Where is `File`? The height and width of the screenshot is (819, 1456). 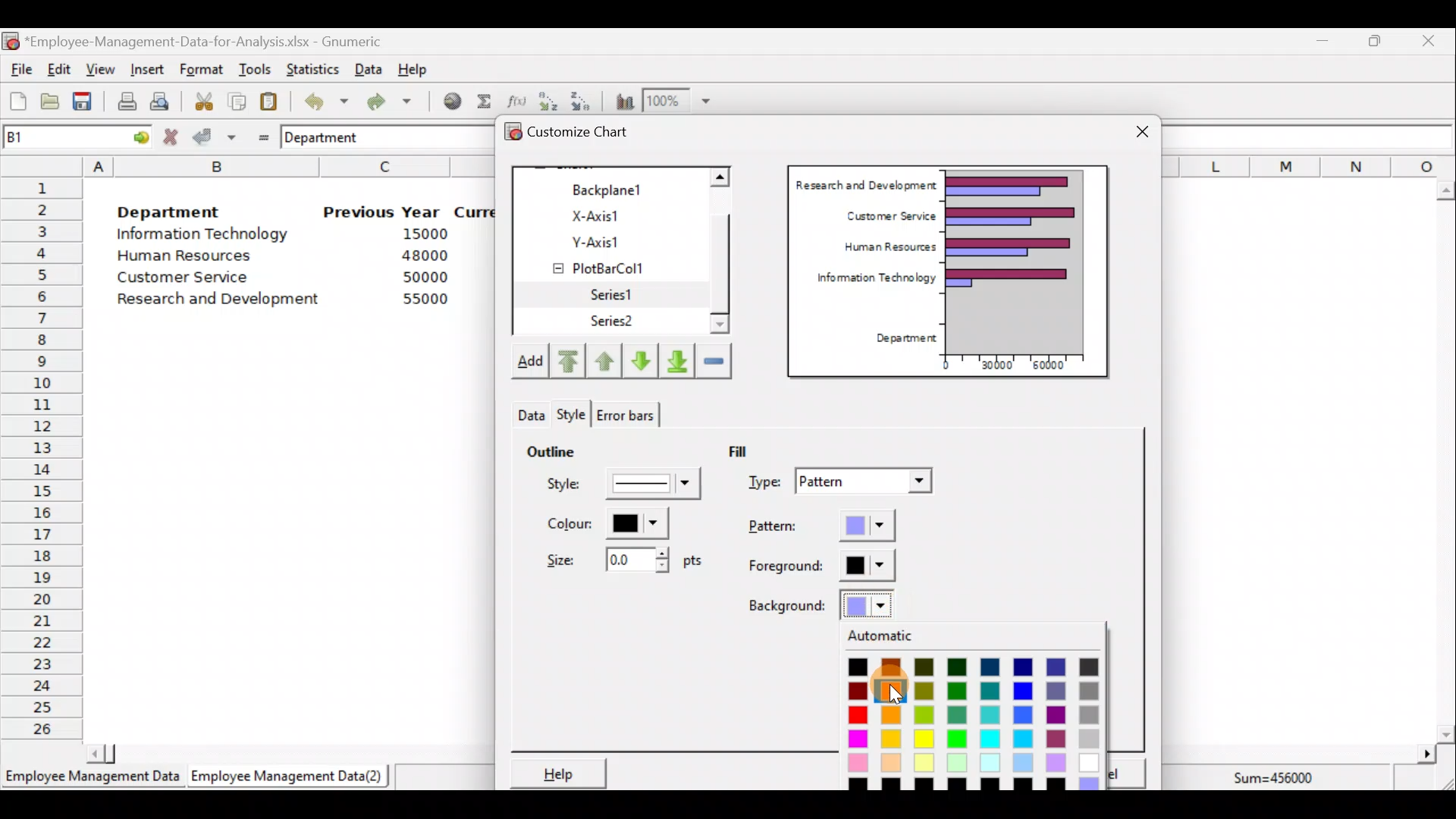 File is located at coordinates (19, 70).